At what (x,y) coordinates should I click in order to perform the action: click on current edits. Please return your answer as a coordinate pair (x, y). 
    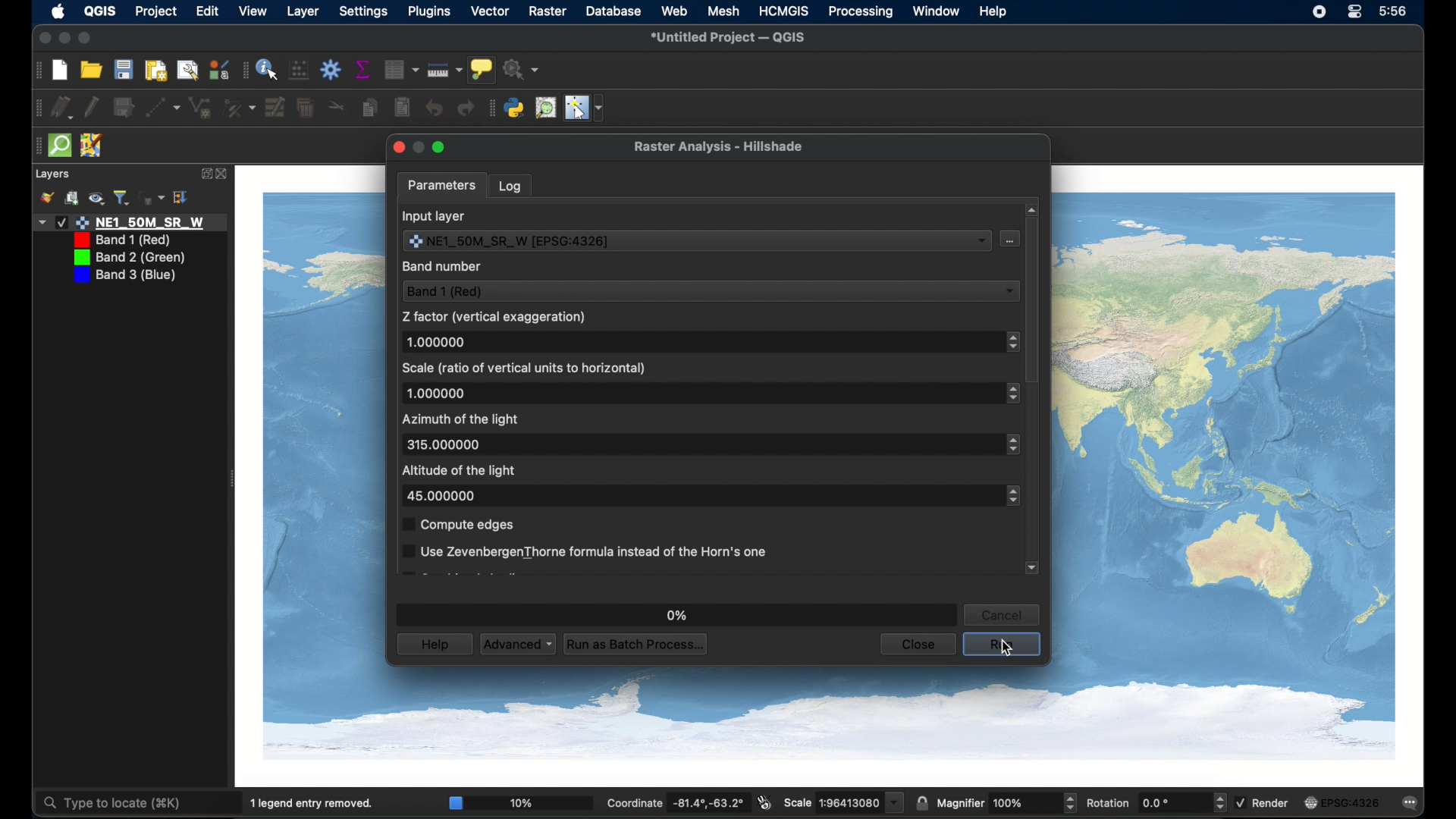
    Looking at the image, I should click on (63, 107).